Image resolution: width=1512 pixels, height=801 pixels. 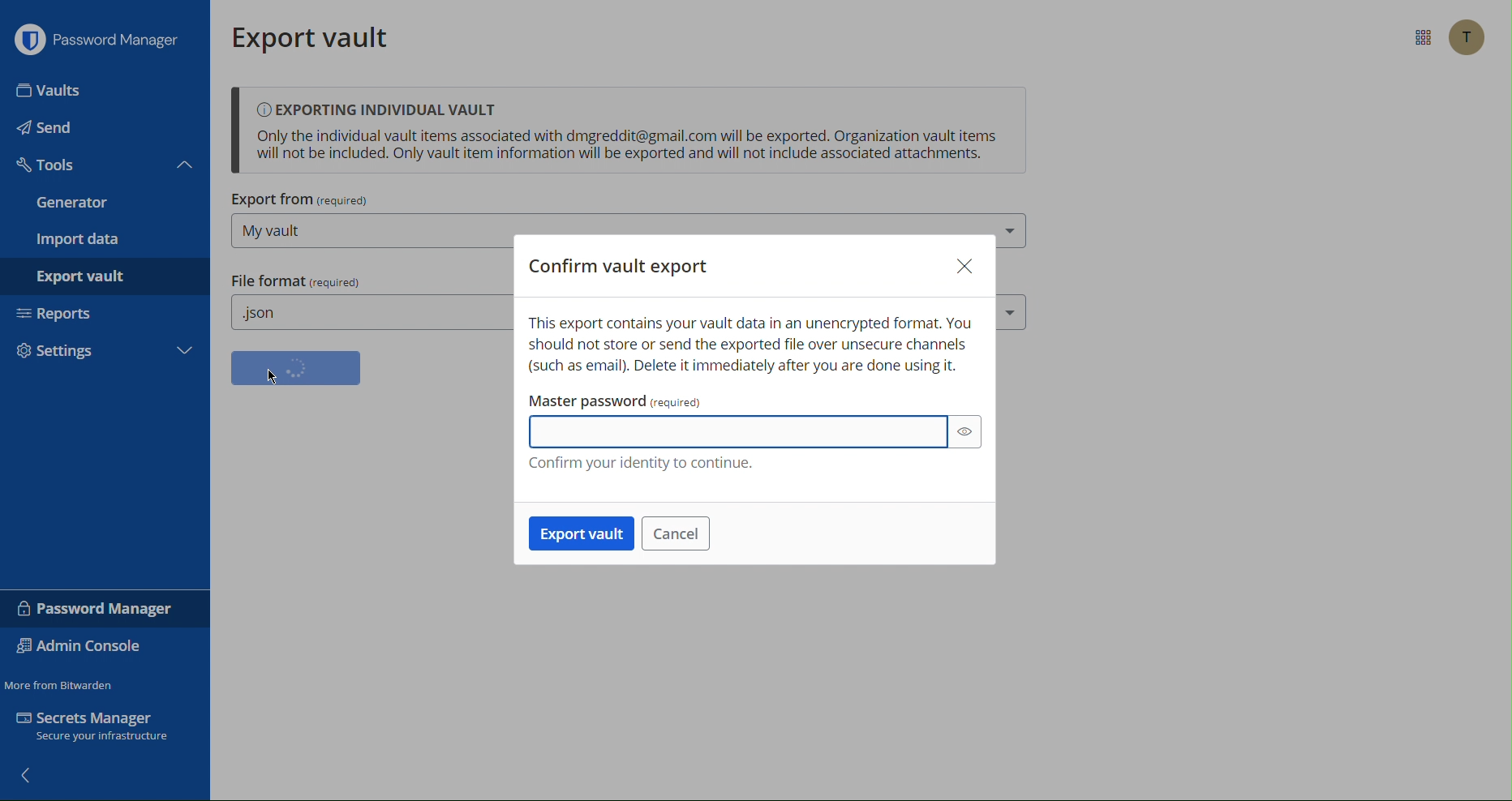 I want to click on Secrets Manager , so click(x=99, y=728).